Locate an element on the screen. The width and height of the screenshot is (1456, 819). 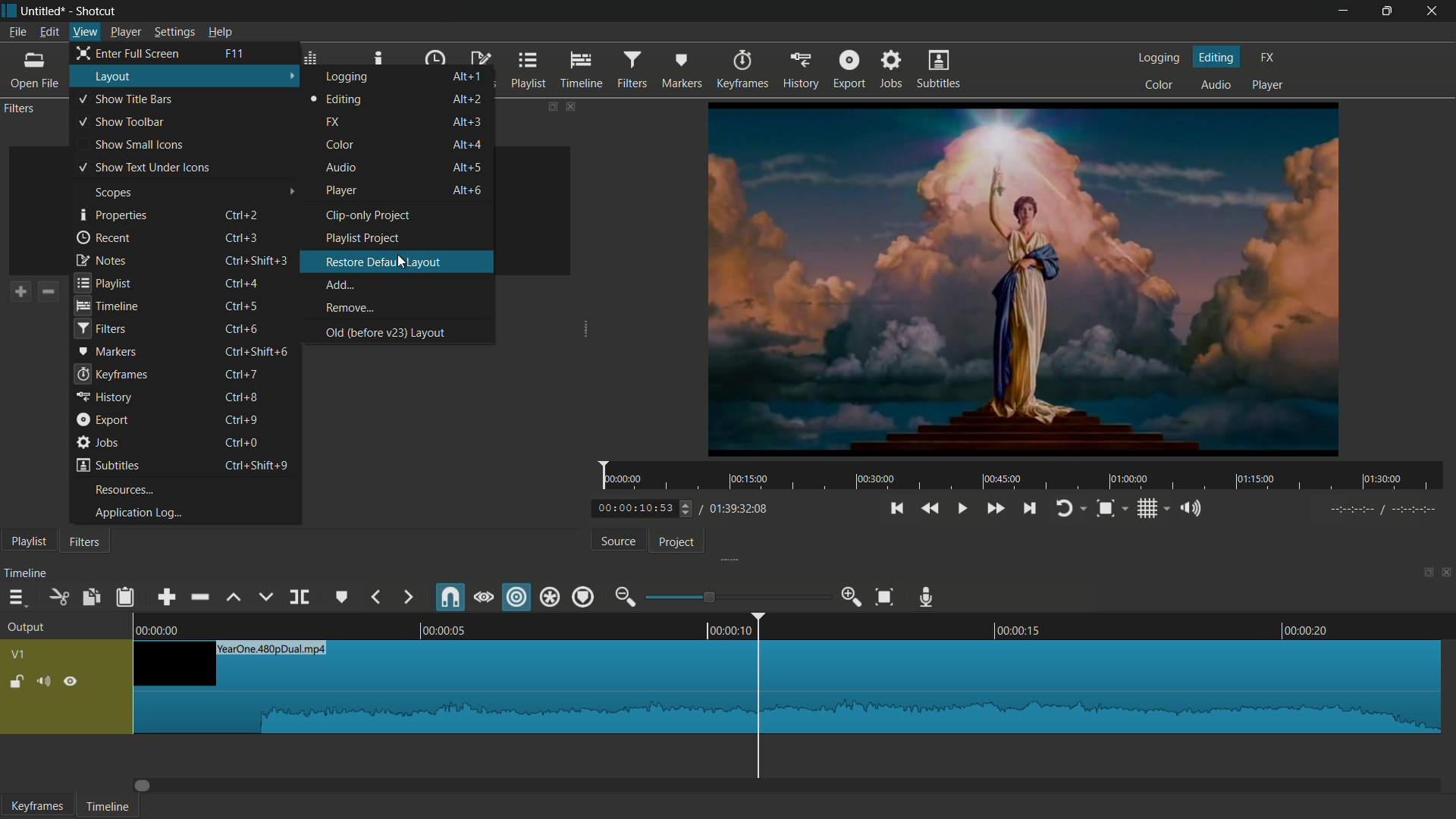
keyboard shortcut is located at coordinates (467, 167).